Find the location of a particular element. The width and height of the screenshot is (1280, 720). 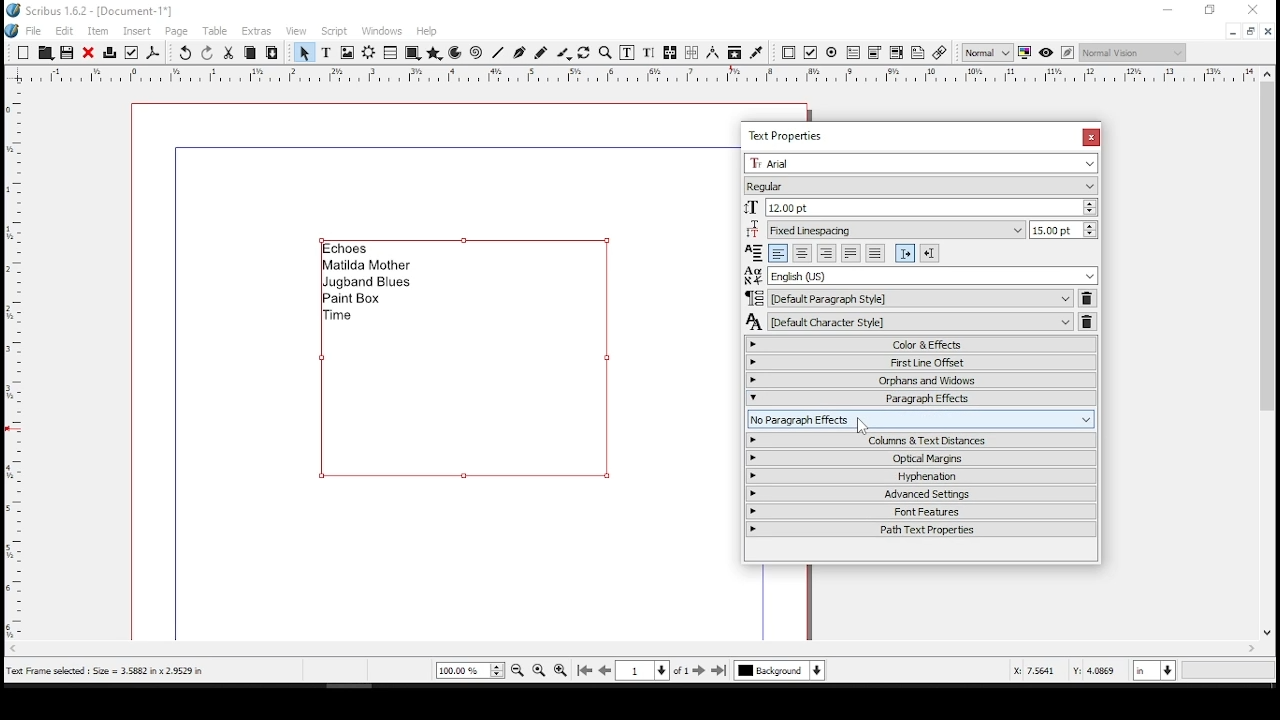

matilda mother is located at coordinates (367, 266).